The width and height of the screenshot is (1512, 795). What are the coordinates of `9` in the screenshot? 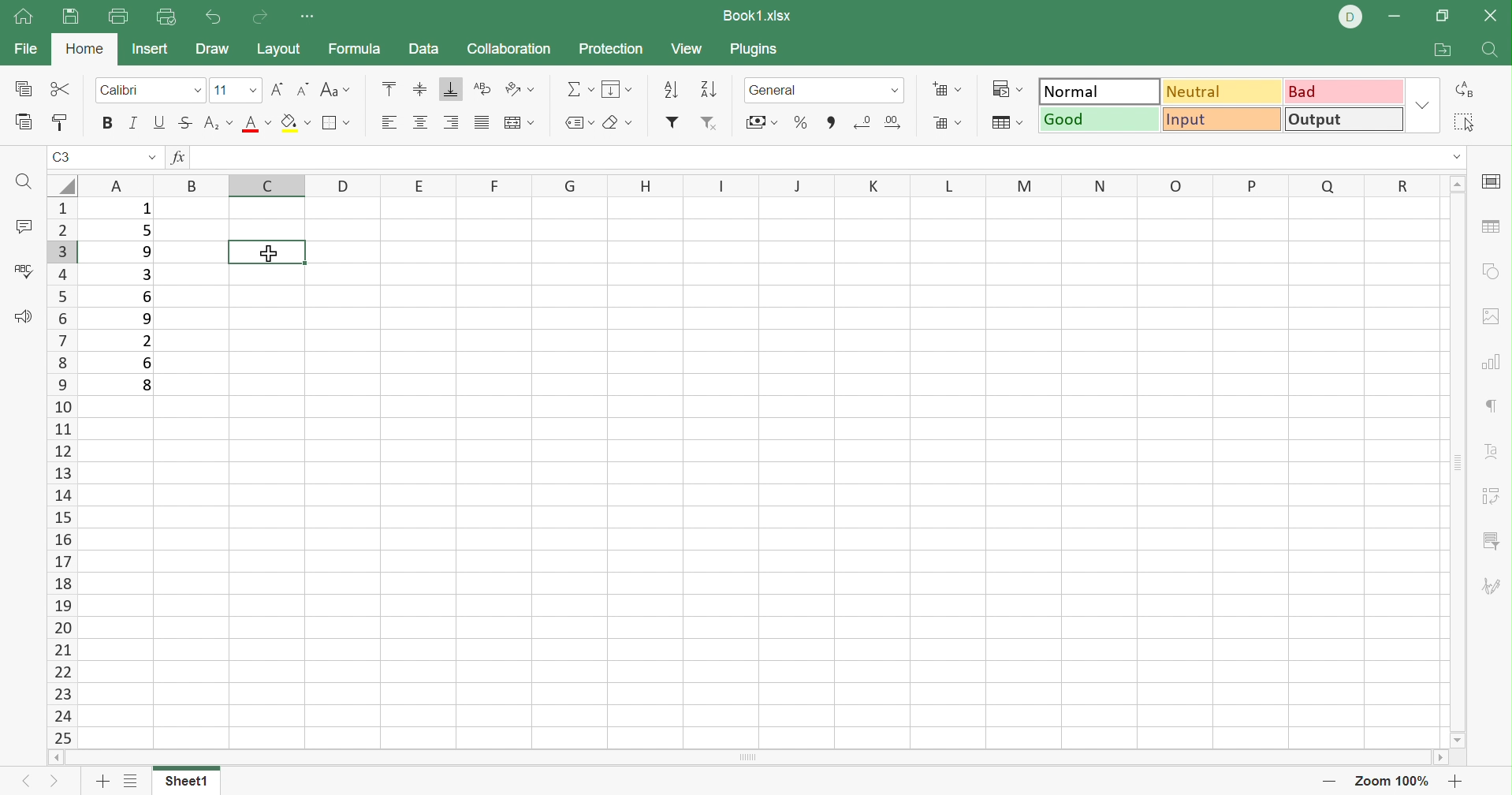 It's located at (147, 251).